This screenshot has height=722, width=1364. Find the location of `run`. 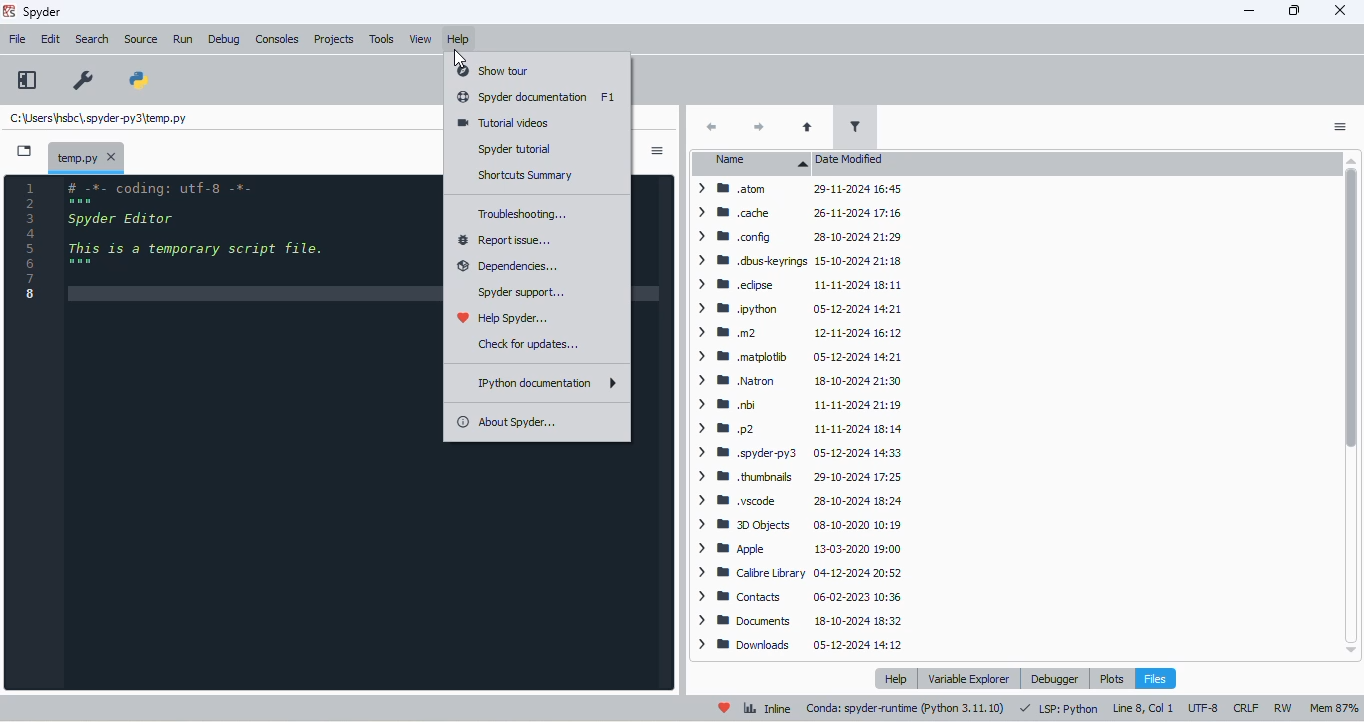

run is located at coordinates (183, 40).